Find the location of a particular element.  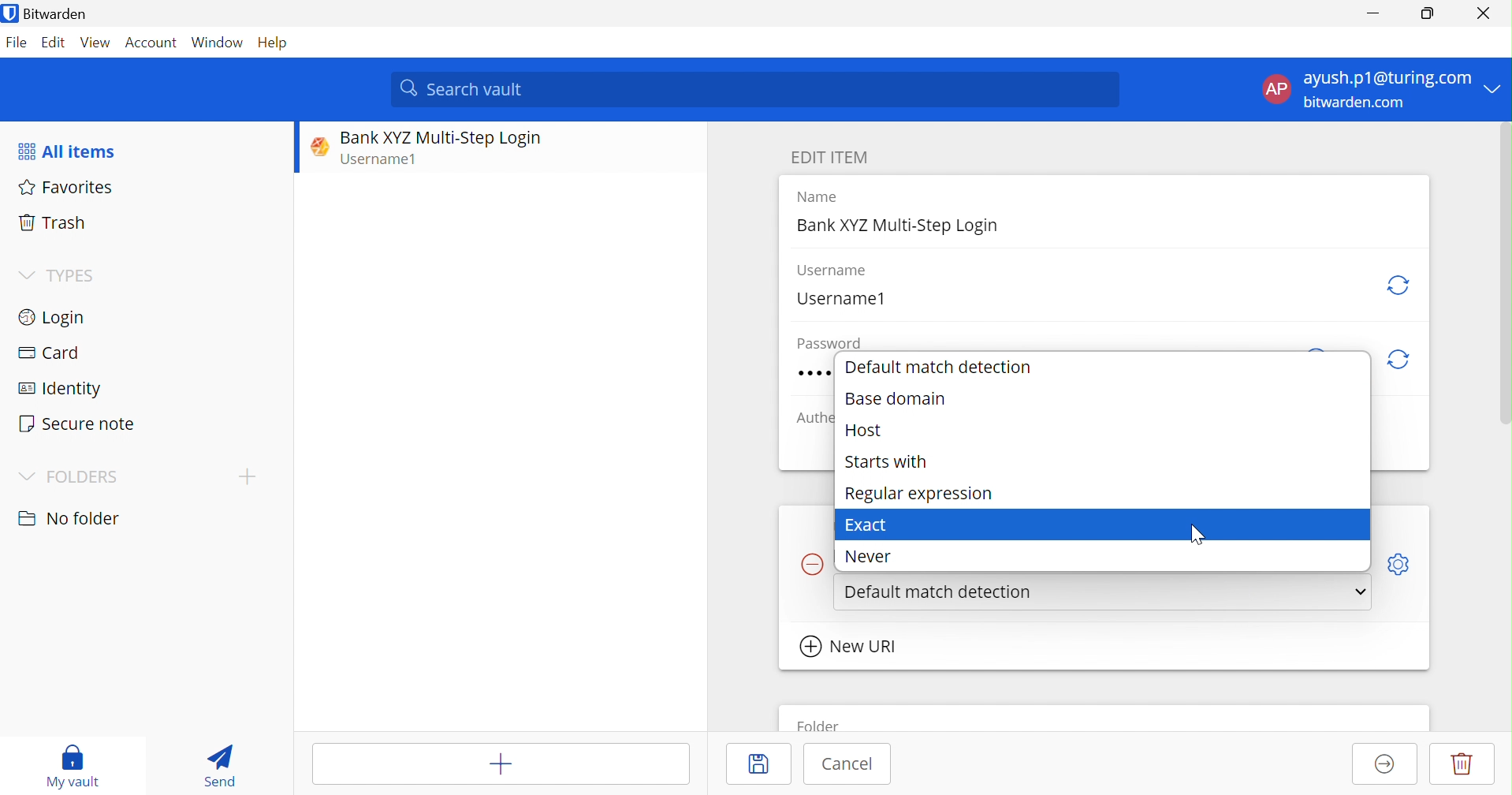

scroll bar is located at coordinates (1502, 289).